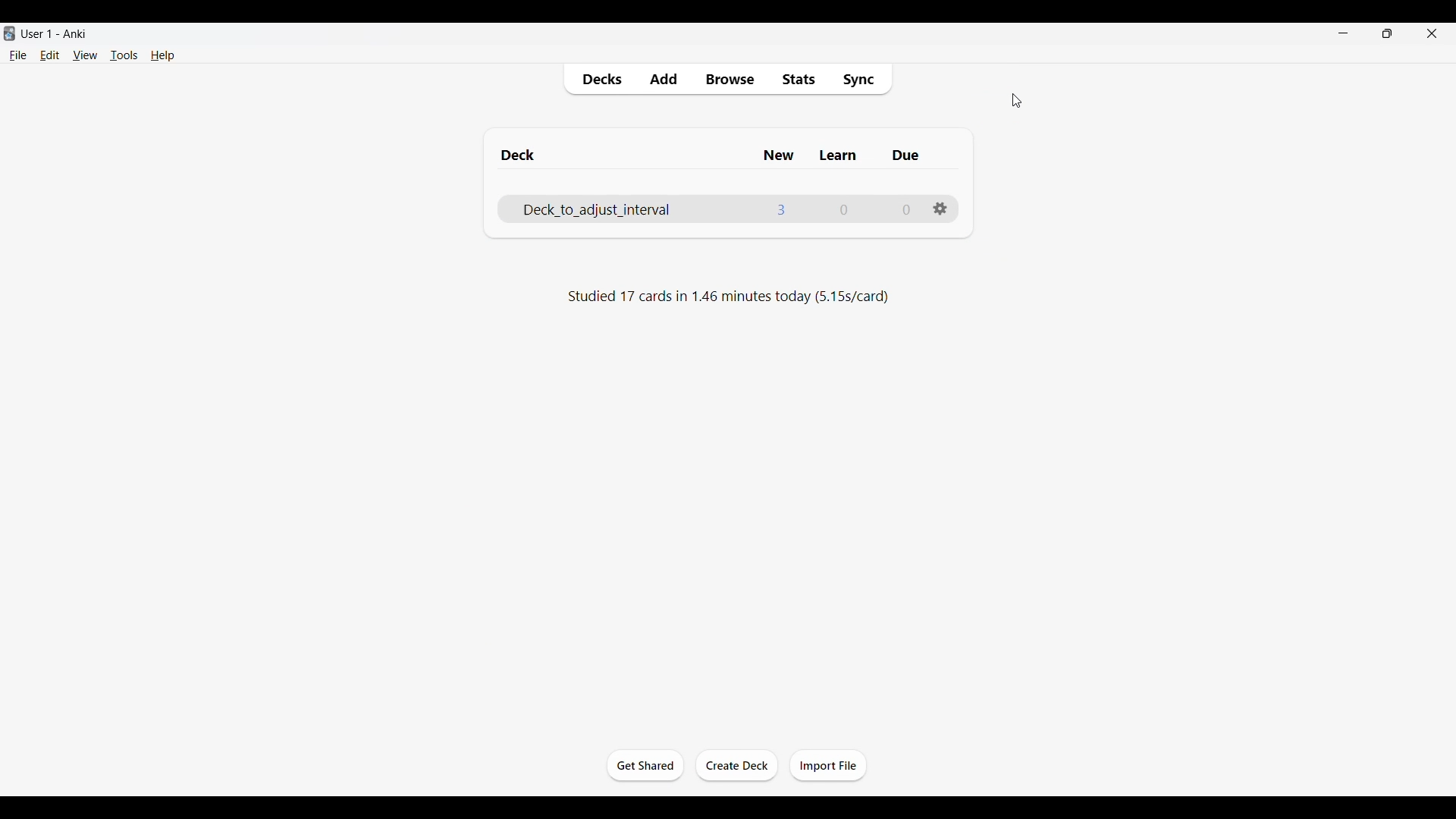 The image size is (1456, 819). Describe the element at coordinates (799, 80) in the screenshot. I see `Stats` at that location.